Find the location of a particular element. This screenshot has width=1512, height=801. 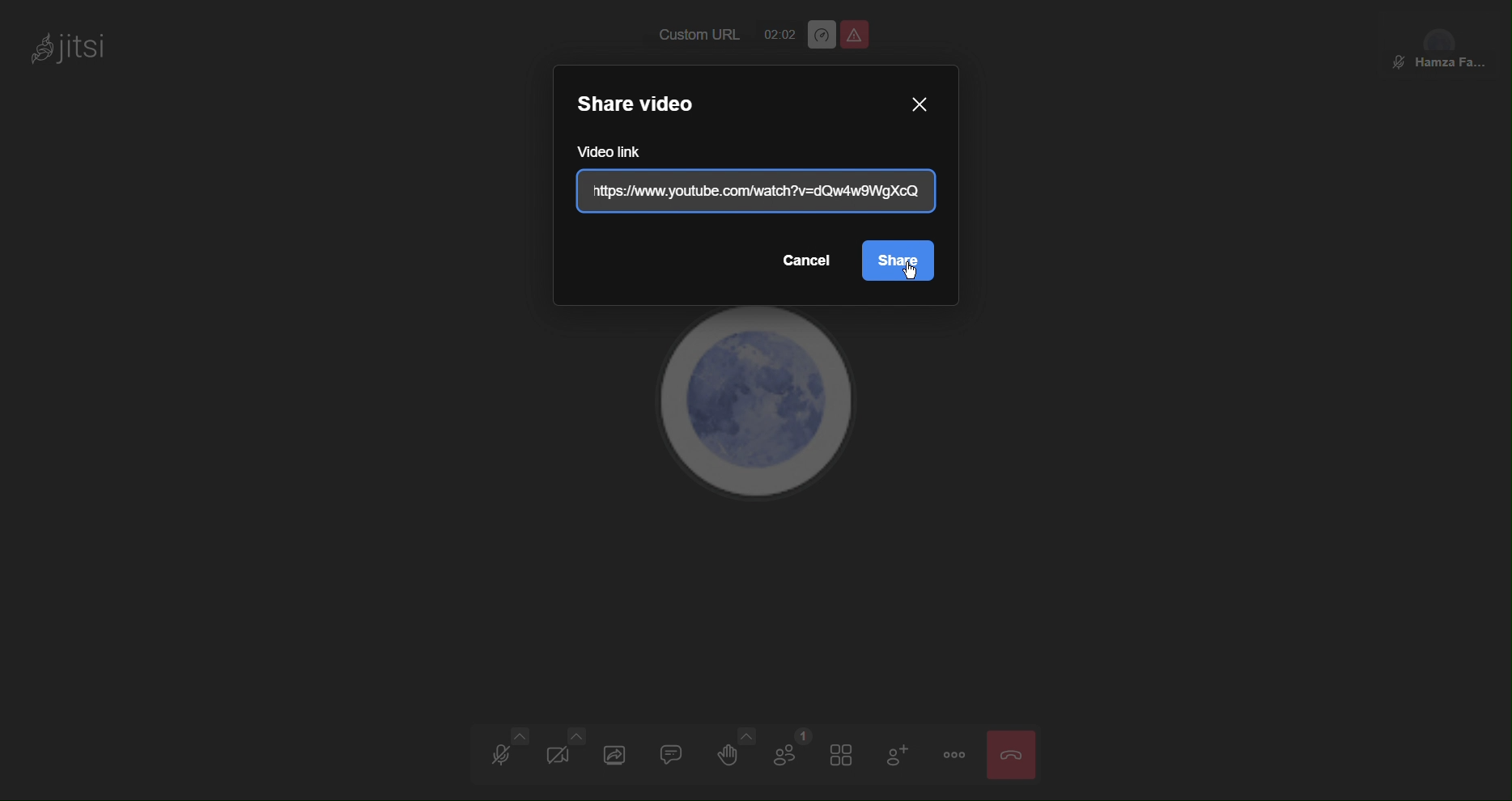

Close is located at coordinates (1013, 753).